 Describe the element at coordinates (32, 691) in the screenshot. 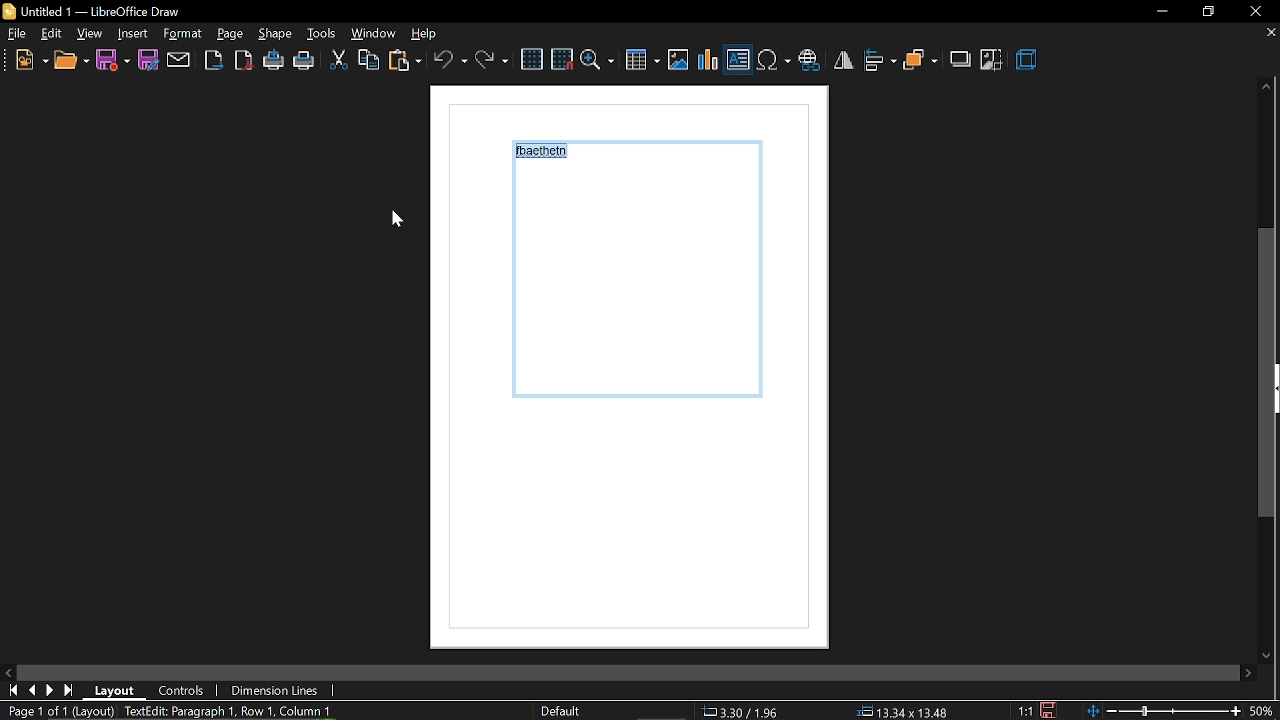

I see `go to previous page` at that location.